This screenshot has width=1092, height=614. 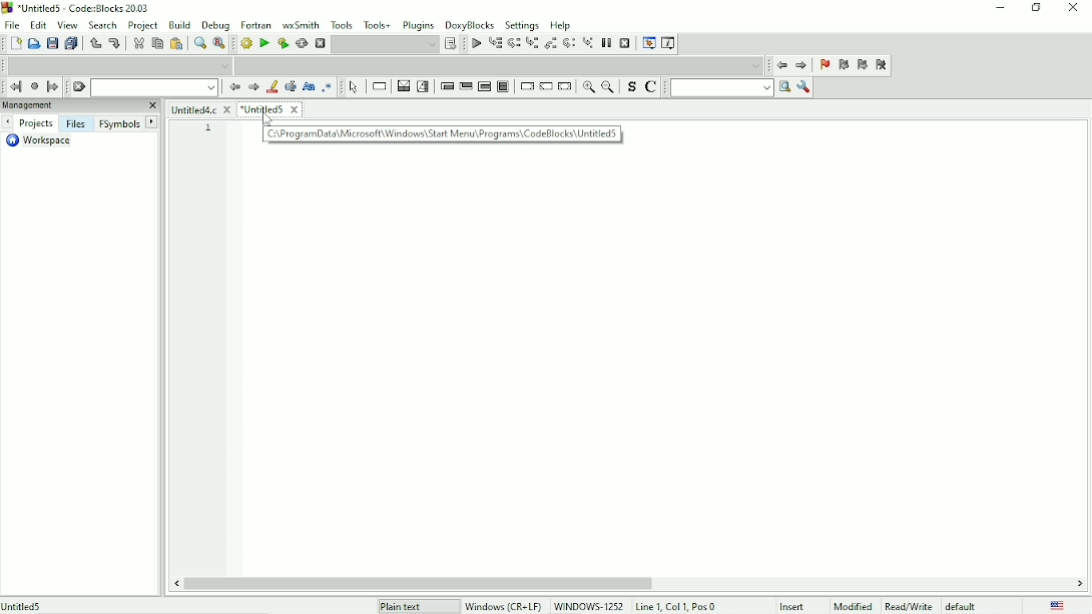 What do you see at coordinates (247, 44) in the screenshot?
I see `Build` at bounding box center [247, 44].